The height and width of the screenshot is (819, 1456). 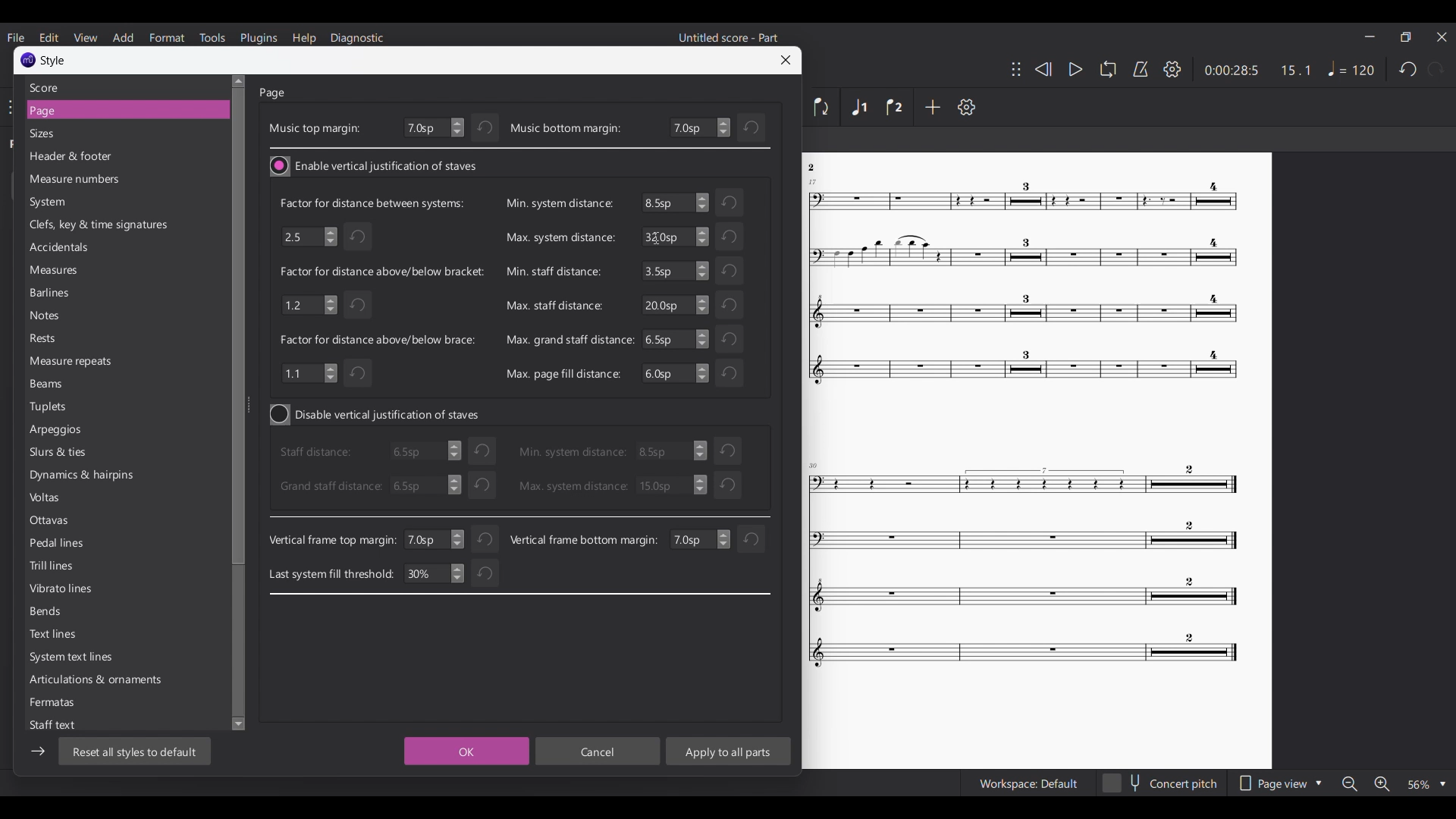 What do you see at coordinates (932, 106) in the screenshot?
I see `Add` at bounding box center [932, 106].